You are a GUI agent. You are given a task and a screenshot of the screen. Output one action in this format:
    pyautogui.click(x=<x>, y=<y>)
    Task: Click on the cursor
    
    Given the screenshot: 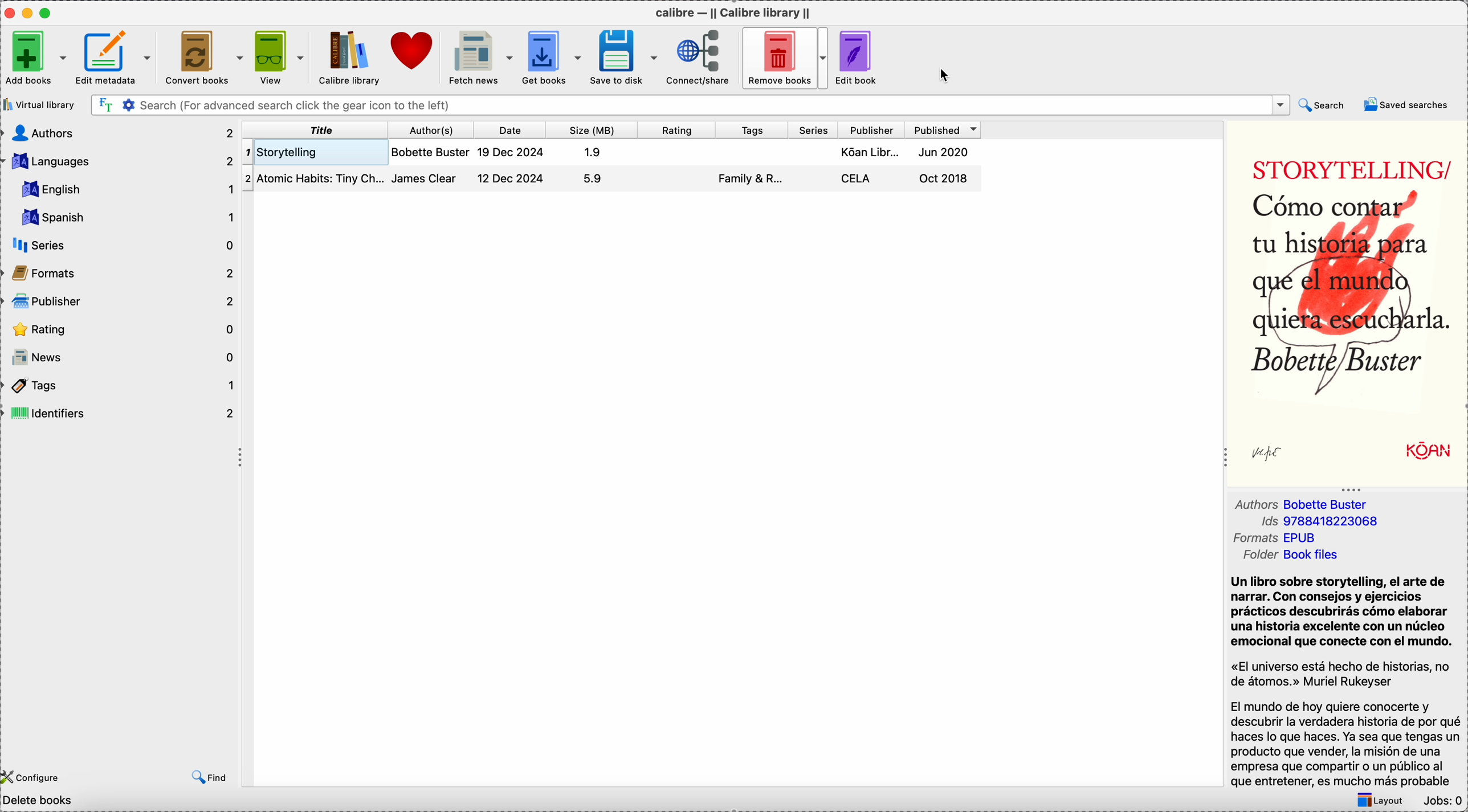 What is the action you would take?
    pyautogui.click(x=947, y=76)
    